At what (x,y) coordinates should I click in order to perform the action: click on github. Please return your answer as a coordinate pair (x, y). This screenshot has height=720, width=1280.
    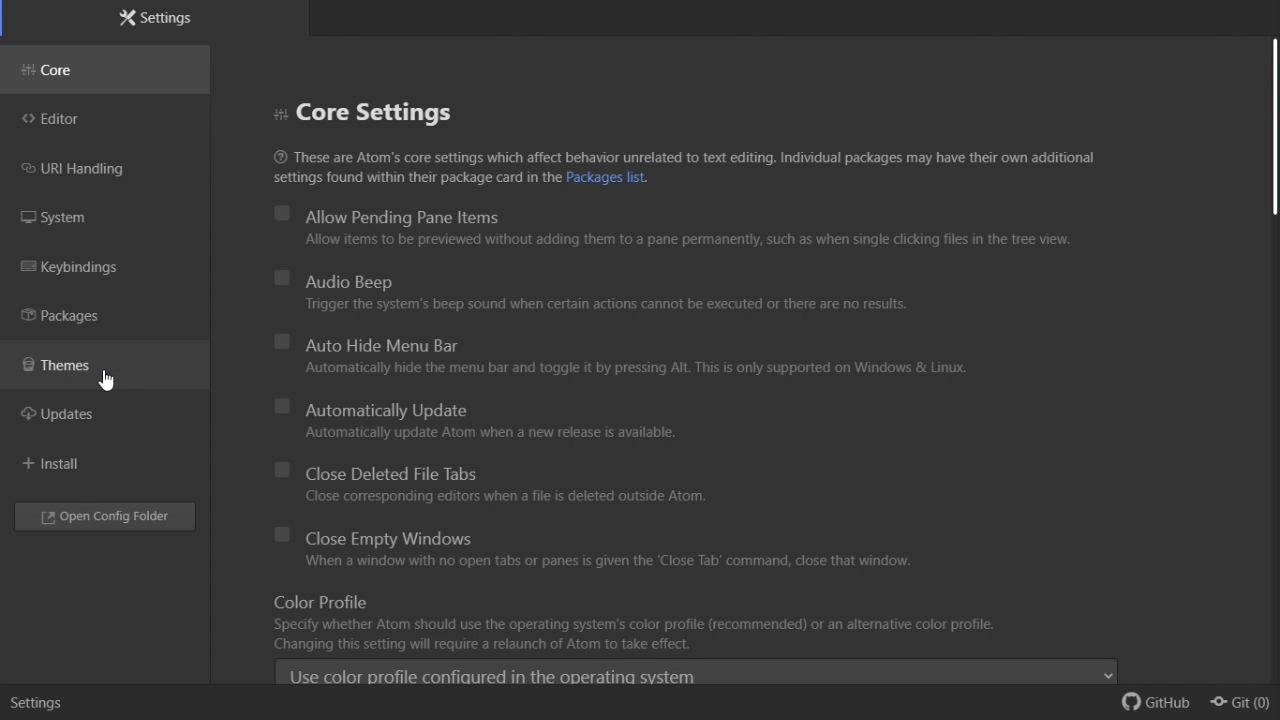
    Looking at the image, I should click on (1162, 707).